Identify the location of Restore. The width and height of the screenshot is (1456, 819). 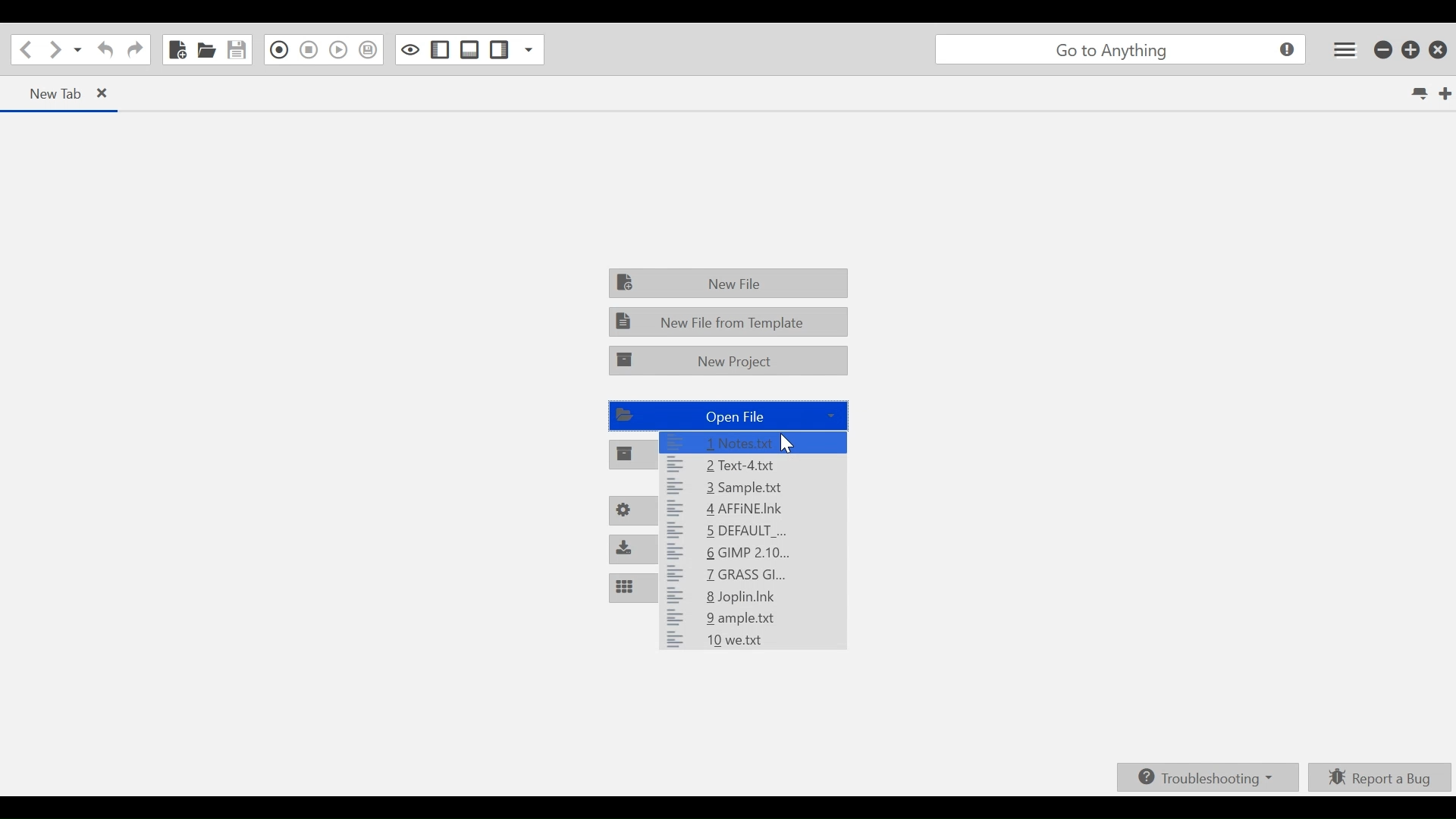
(1409, 50).